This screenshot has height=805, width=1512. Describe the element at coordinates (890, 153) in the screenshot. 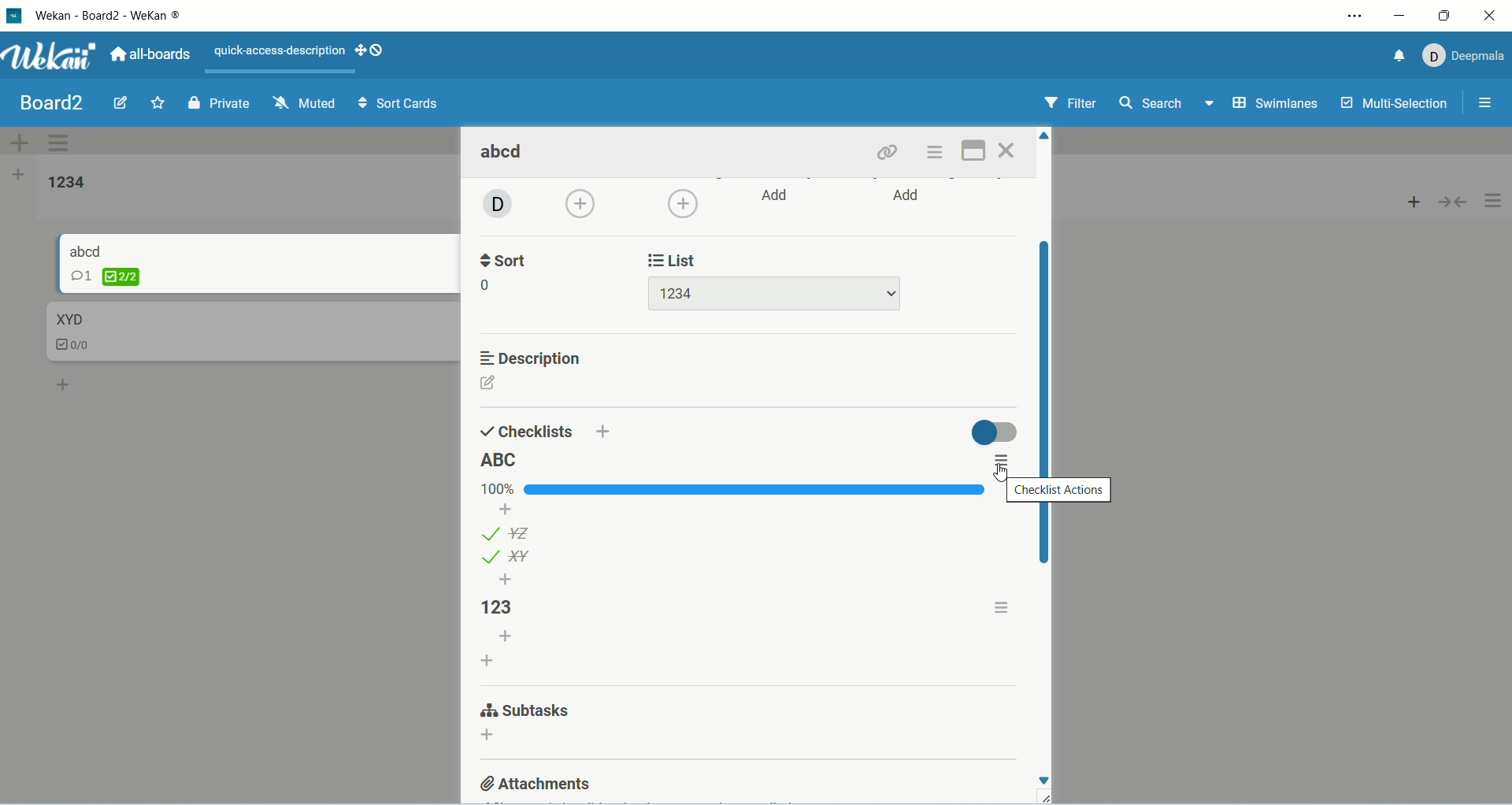

I see `link` at that location.